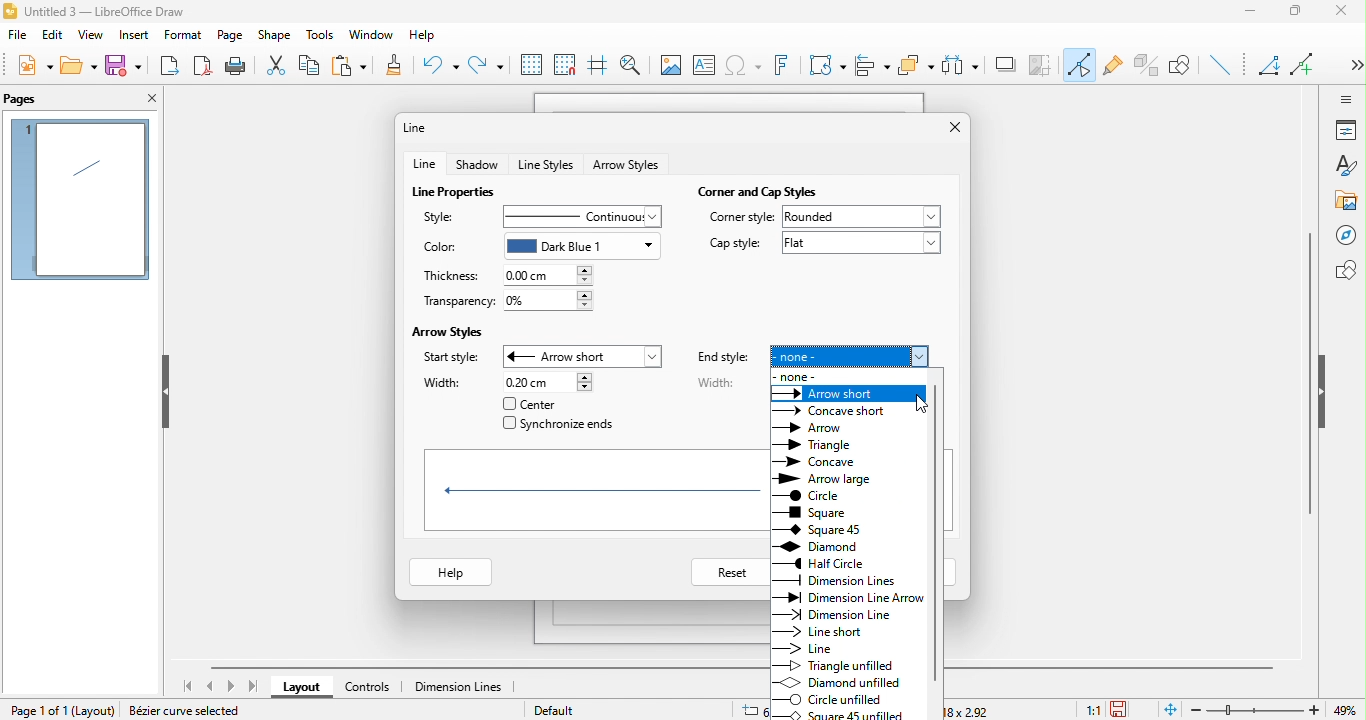  Describe the element at coordinates (728, 357) in the screenshot. I see `end style` at that location.